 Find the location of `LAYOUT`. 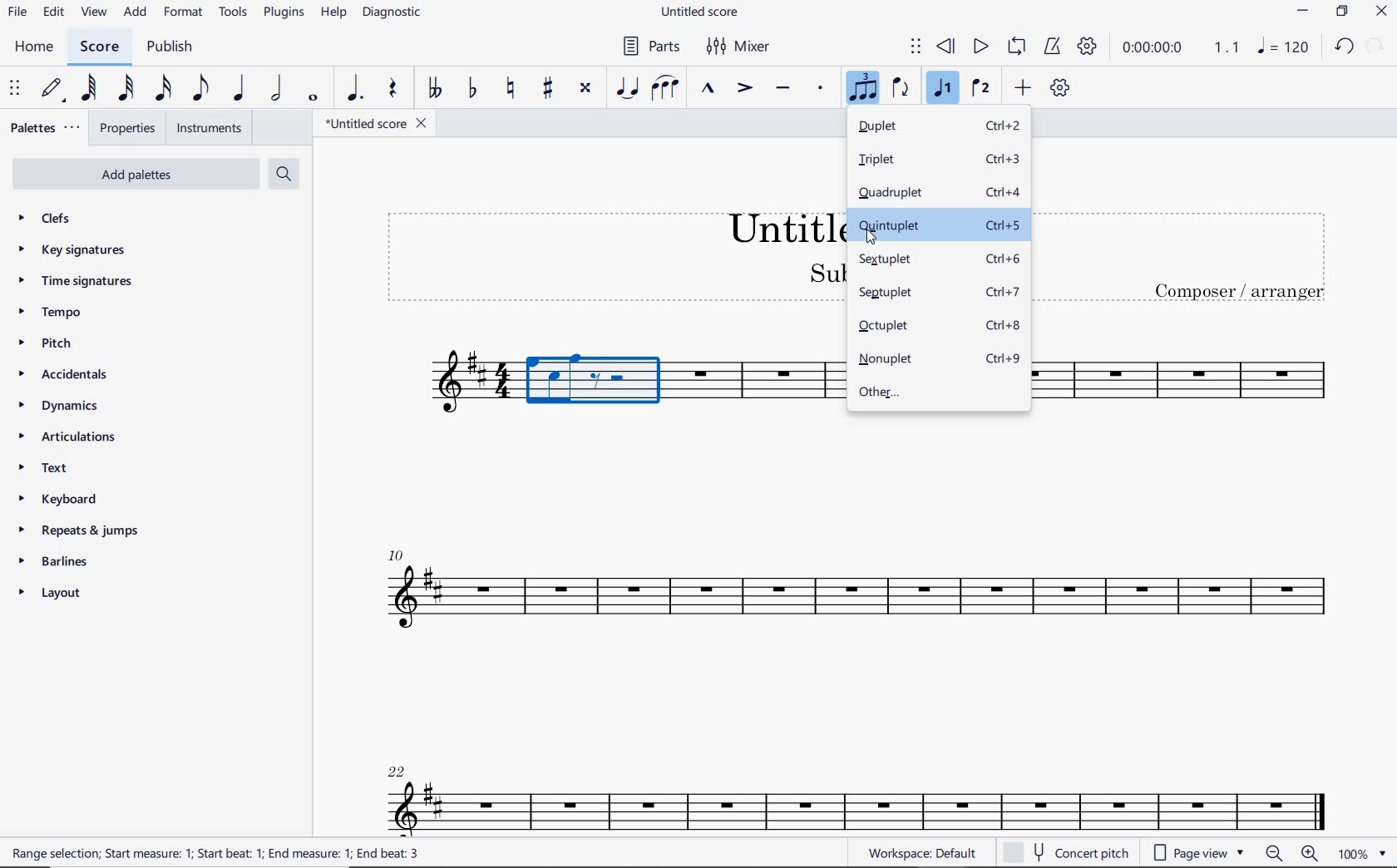

LAYOUT is located at coordinates (52, 594).